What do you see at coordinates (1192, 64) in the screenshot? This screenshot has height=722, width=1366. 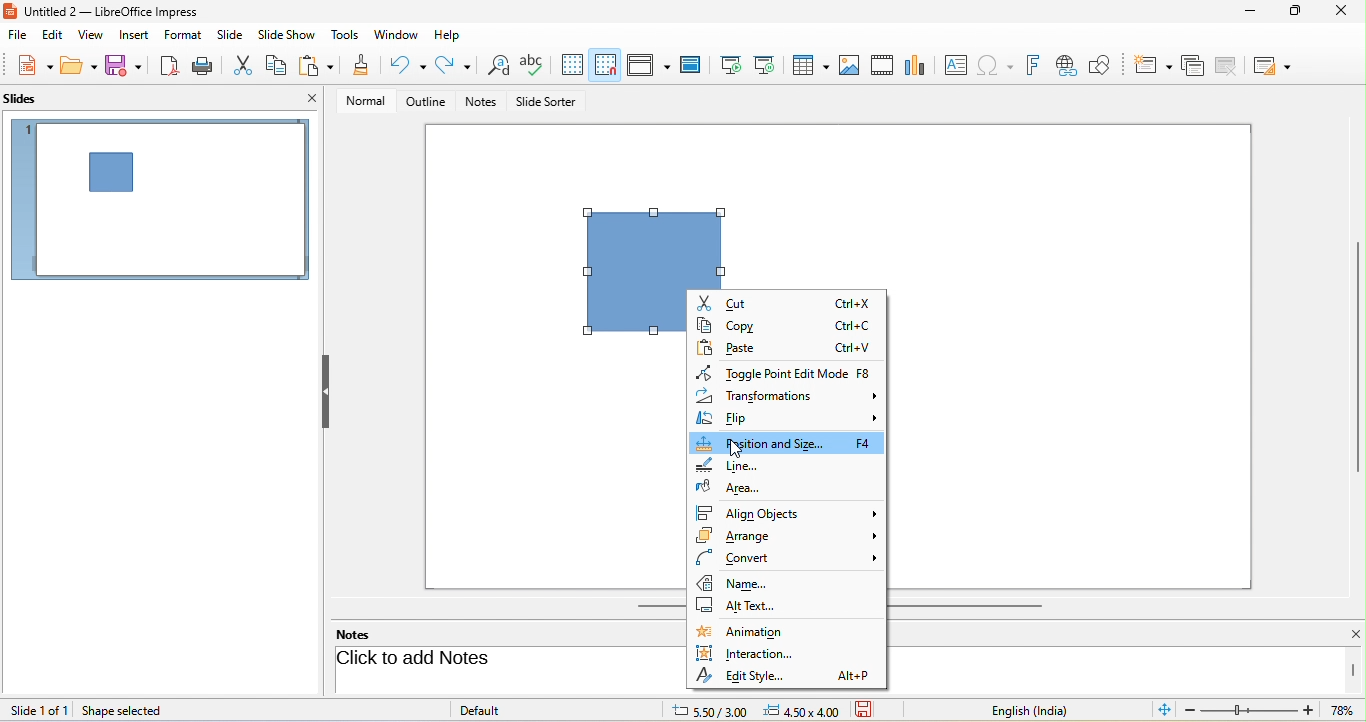 I see `duplicate slide` at bounding box center [1192, 64].